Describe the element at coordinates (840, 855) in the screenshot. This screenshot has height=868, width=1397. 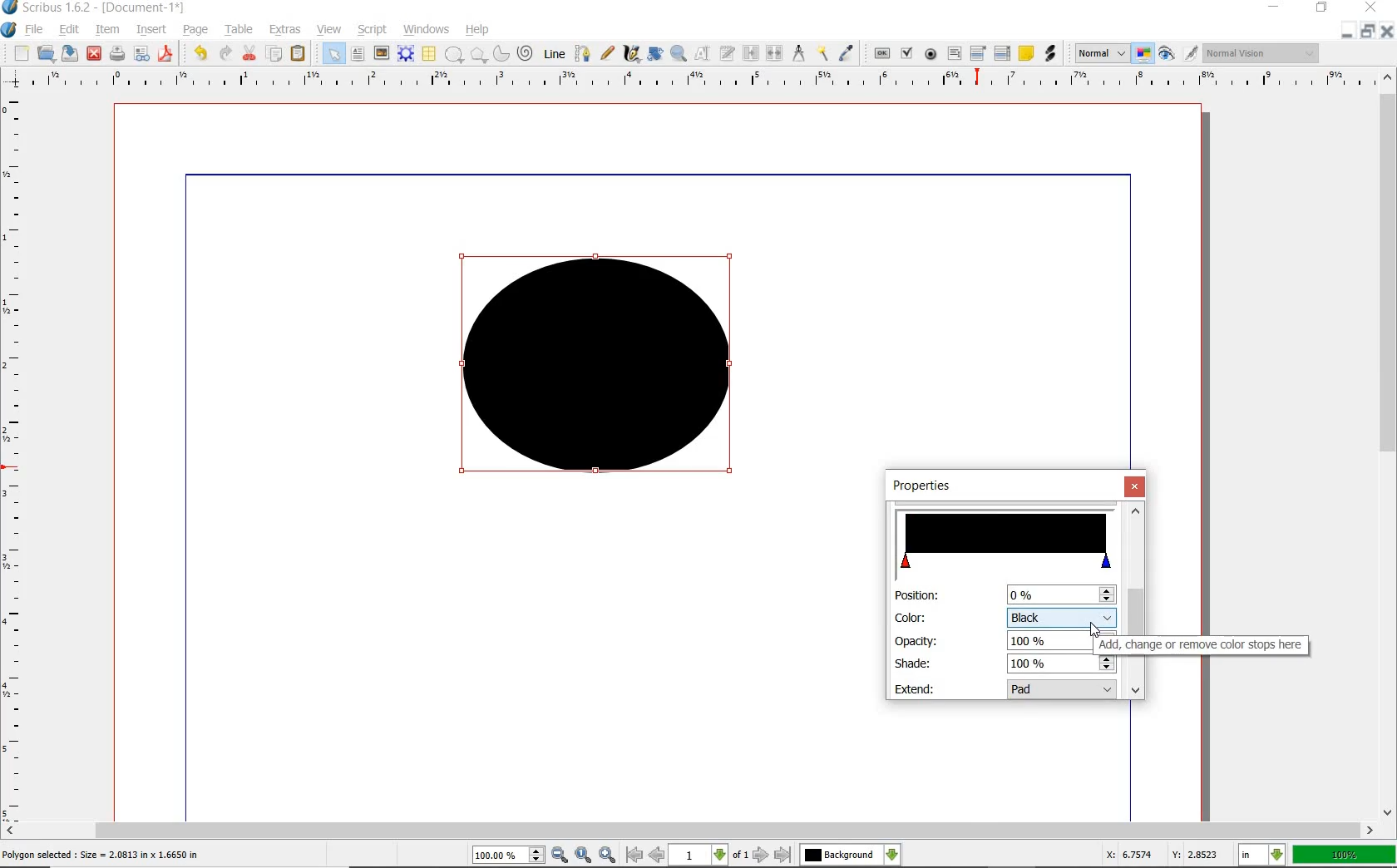
I see `` at that location.